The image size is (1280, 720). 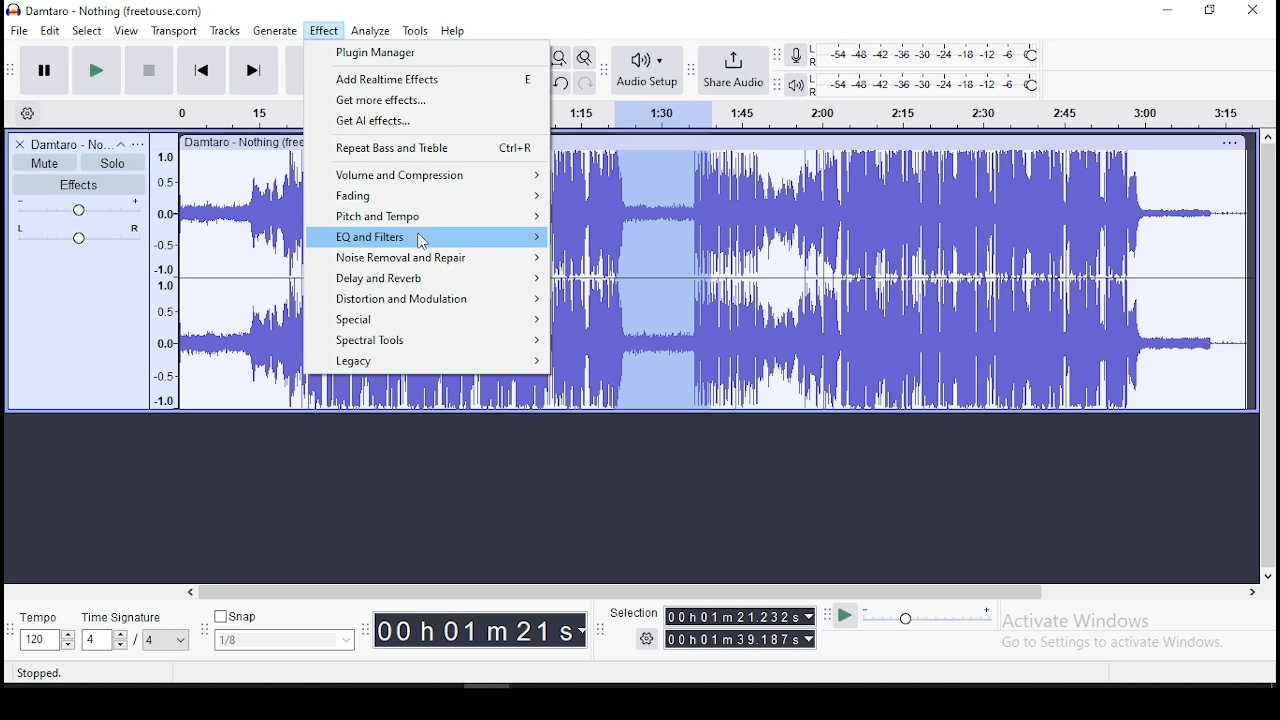 I want to click on , so click(x=11, y=68).